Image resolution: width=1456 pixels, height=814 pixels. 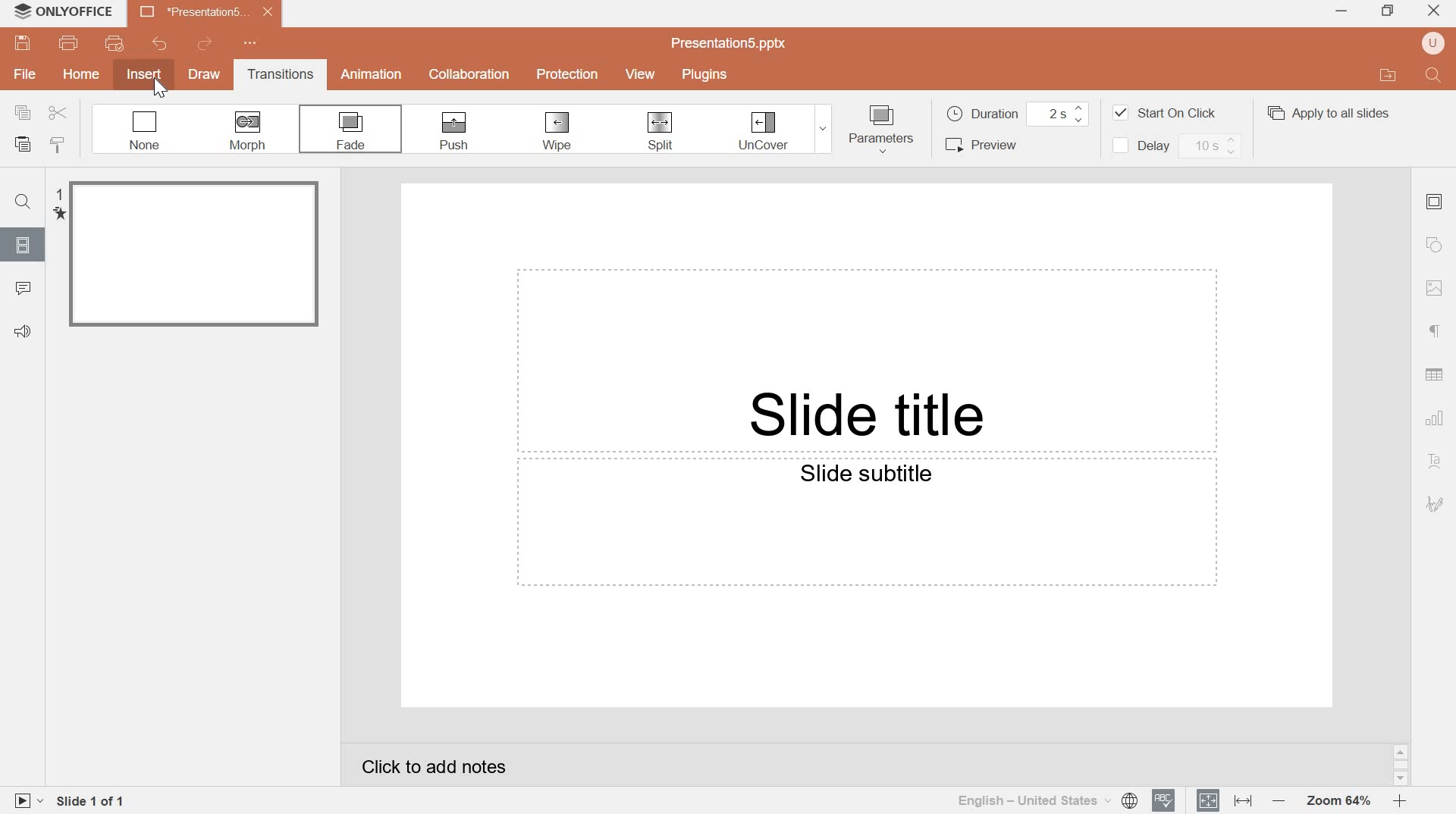 What do you see at coordinates (824, 130) in the screenshot?
I see `Drop down` at bounding box center [824, 130].